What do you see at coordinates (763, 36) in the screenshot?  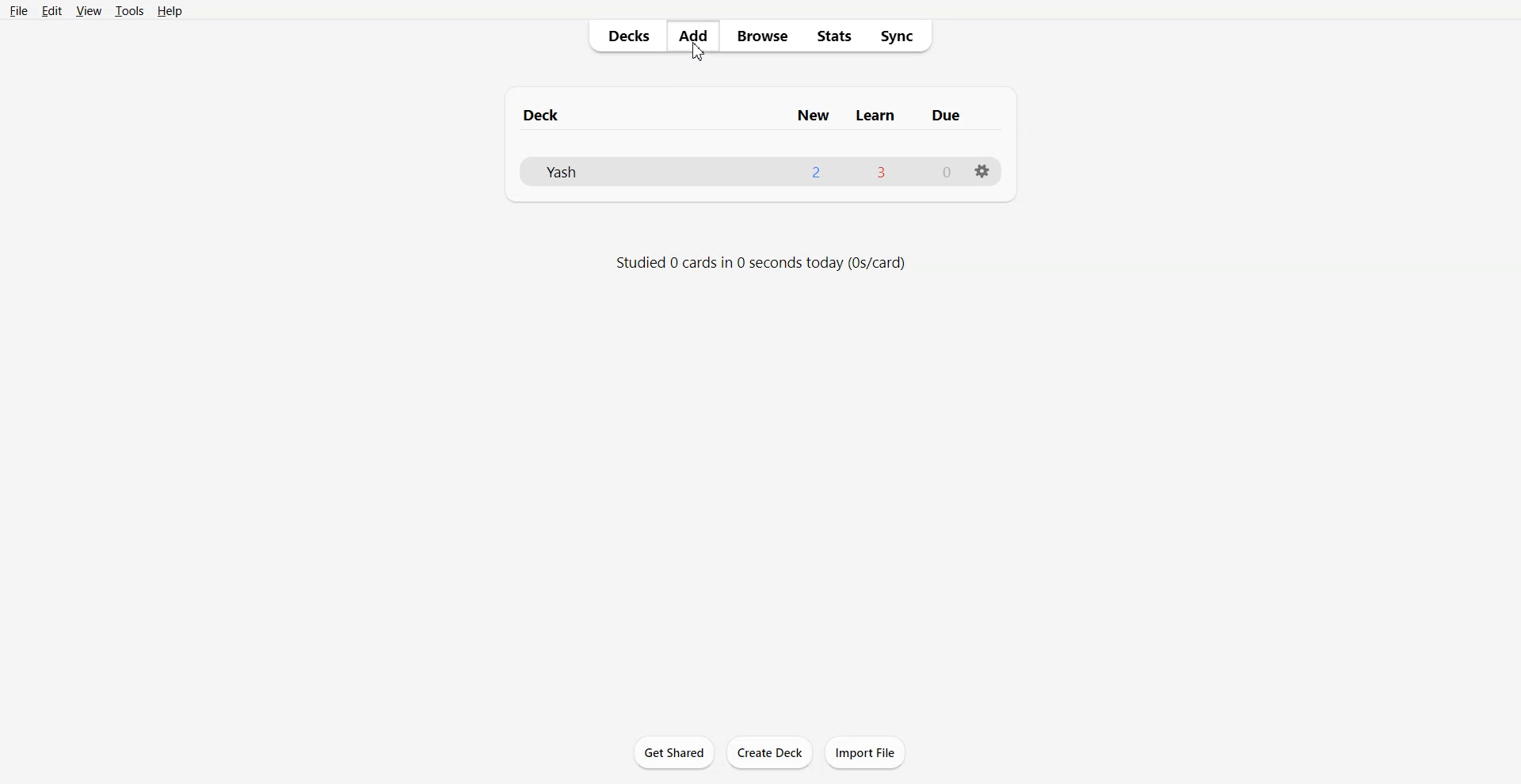 I see `Browse` at bounding box center [763, 36].